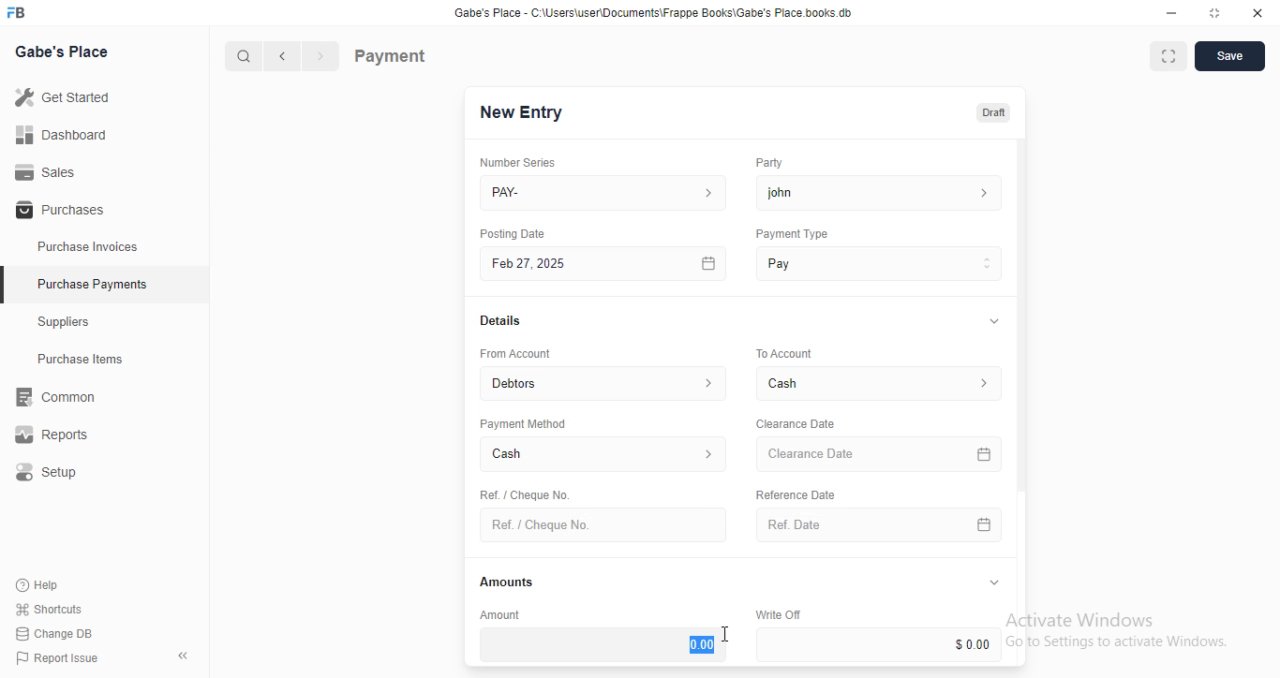  Describe the element at coordinates (286, 58) in the screenshot. I see `navigate backward` at that location.